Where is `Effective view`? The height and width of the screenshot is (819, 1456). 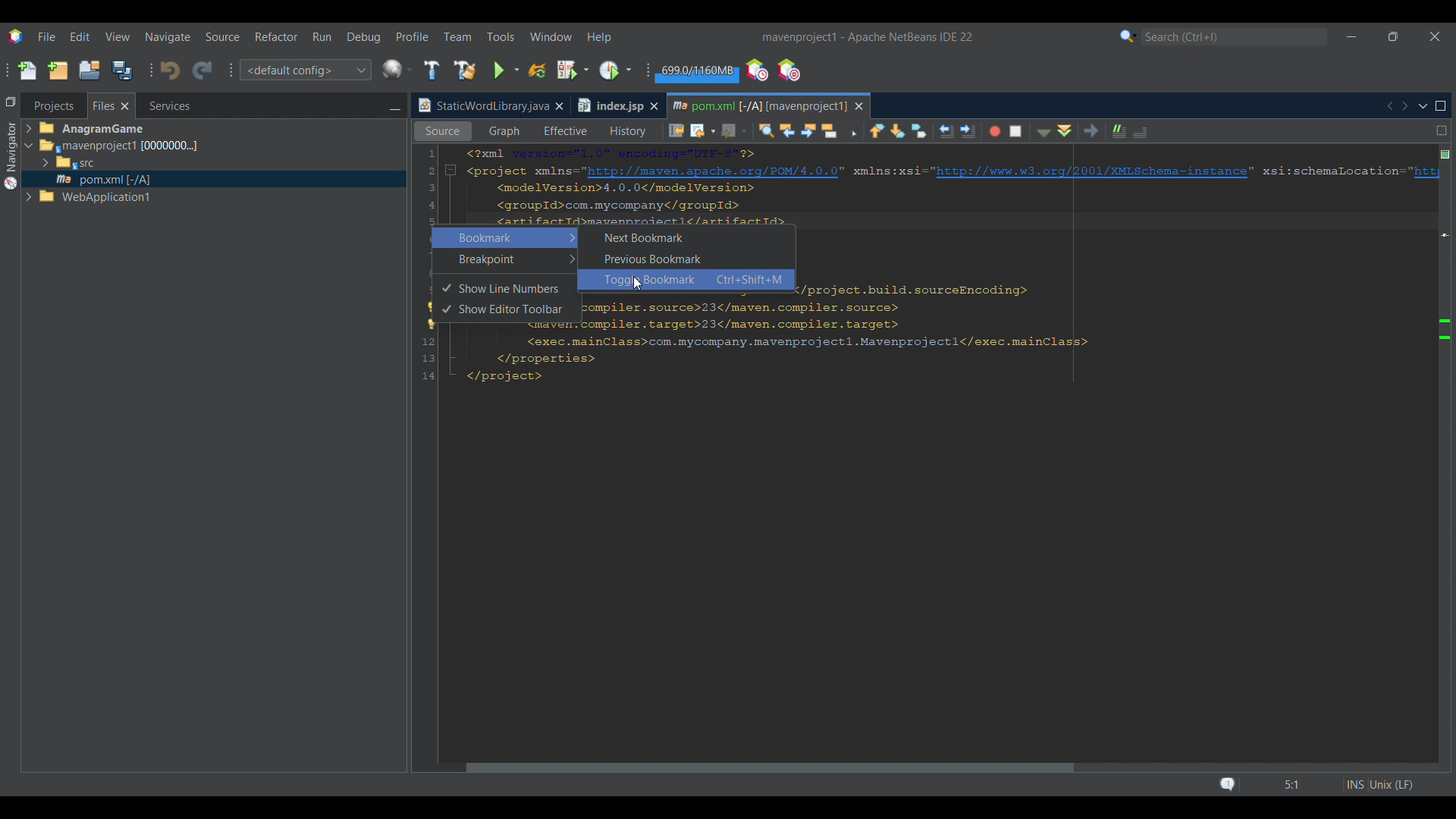 Effective view is located at coordinates (565, 131).